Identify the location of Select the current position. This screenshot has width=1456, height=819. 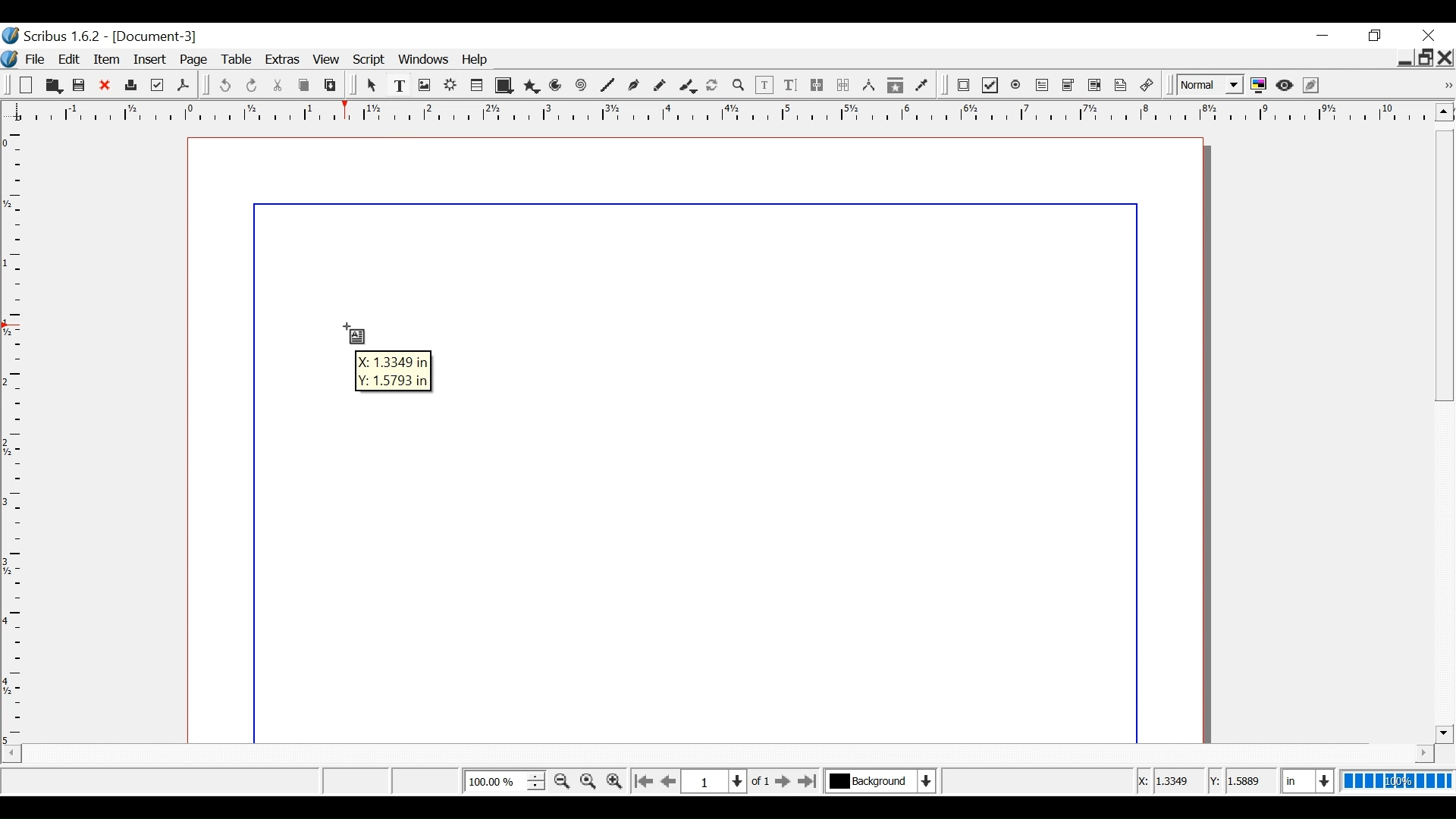
(716, 780).